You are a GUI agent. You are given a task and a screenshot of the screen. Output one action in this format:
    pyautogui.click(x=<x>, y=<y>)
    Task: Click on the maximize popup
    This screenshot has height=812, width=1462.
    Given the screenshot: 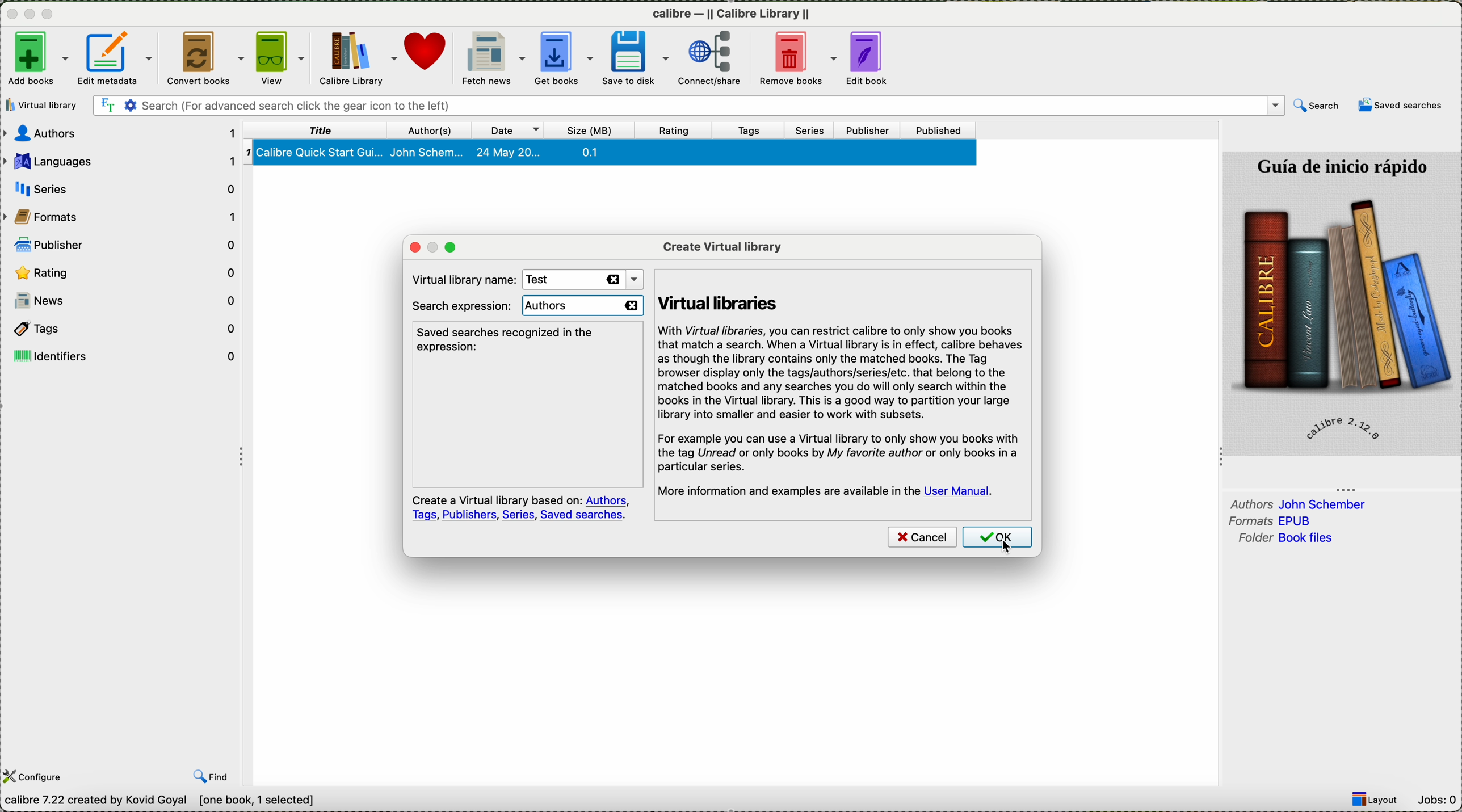 What is the action you would take?
    pyautogui.click(x=456, y=247)
    